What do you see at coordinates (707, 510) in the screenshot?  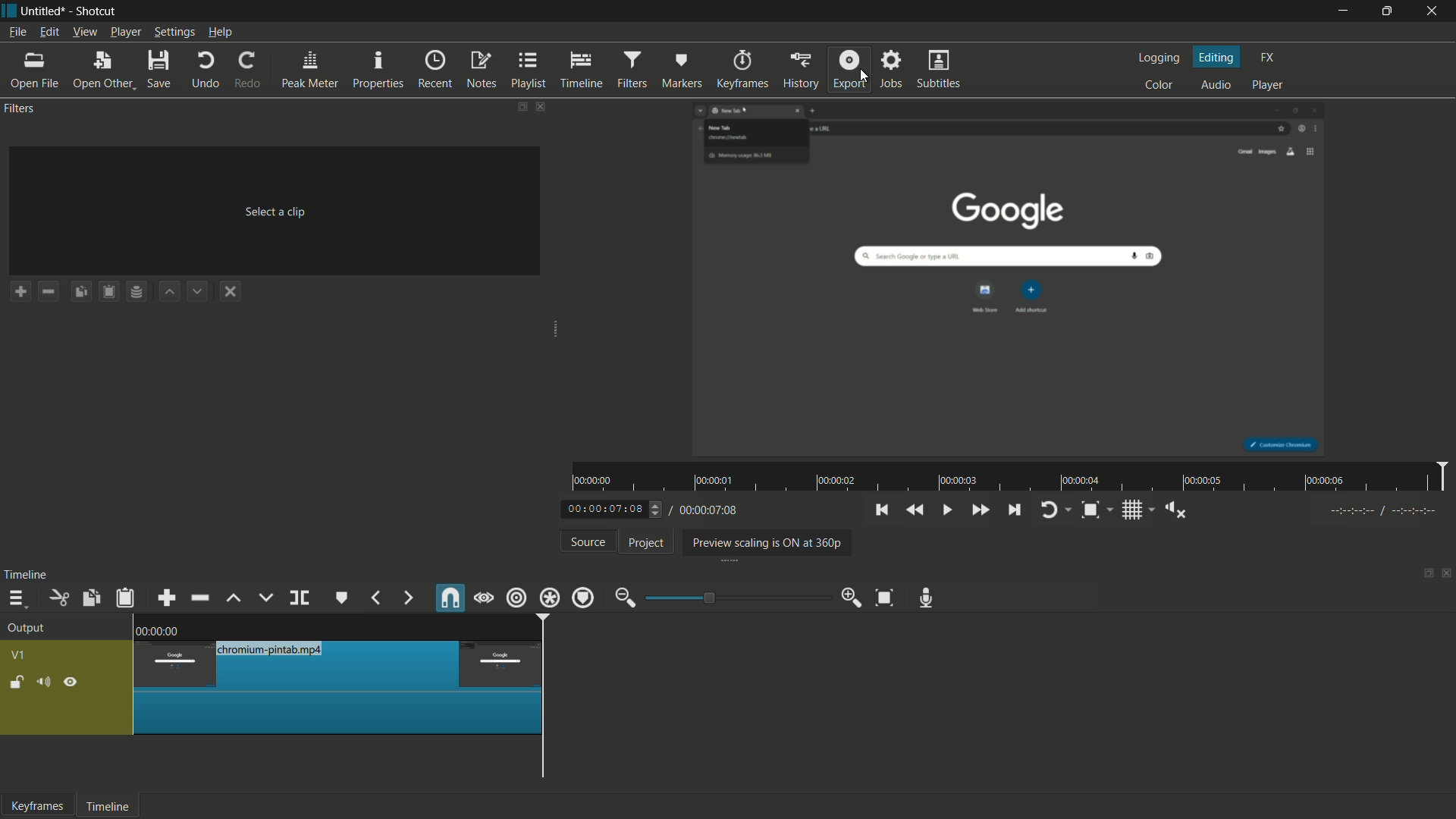 I see `total time` at bounding box center [707, 510].